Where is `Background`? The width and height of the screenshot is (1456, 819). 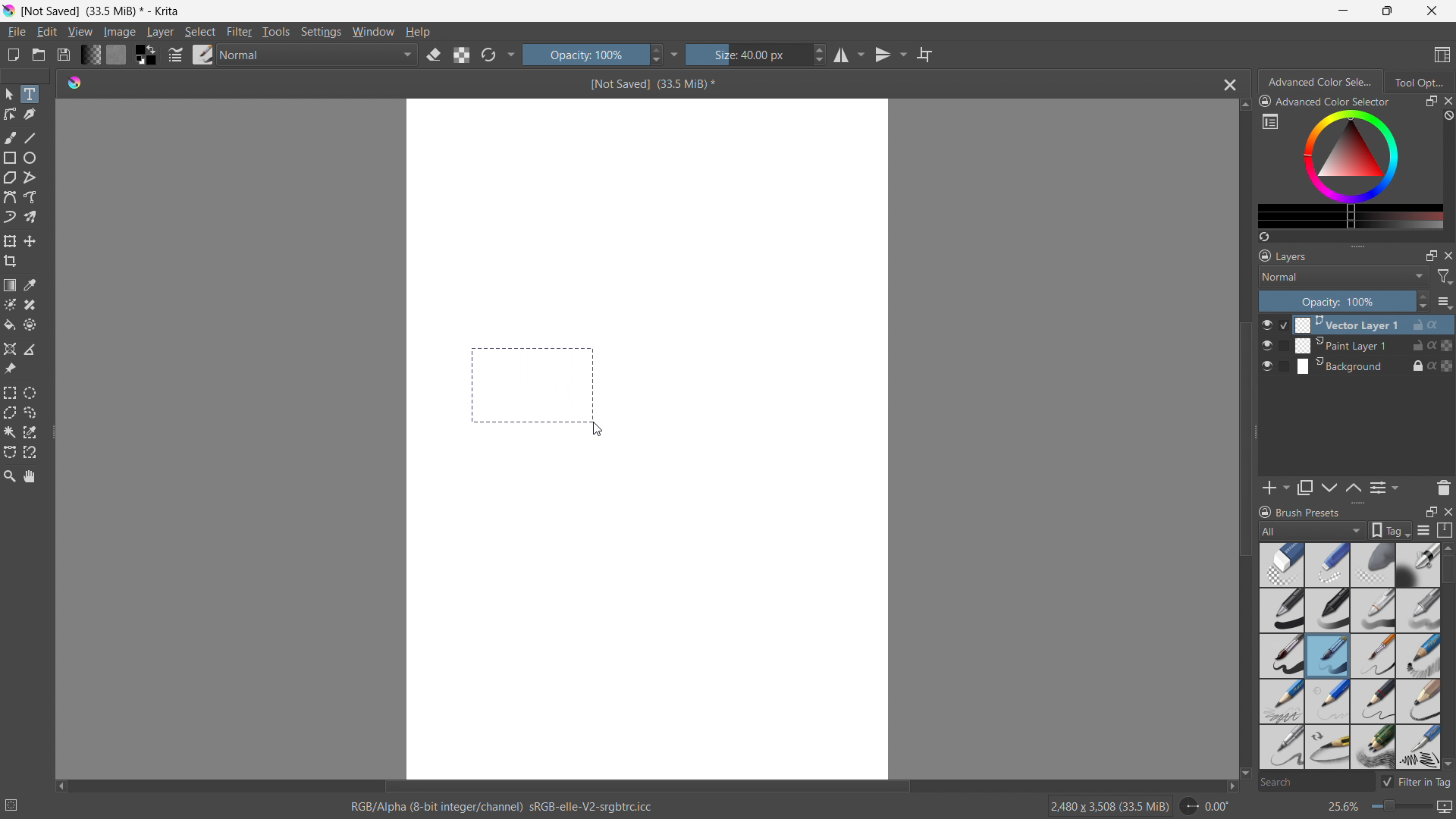 Background is located at coordinates (1365, 366).